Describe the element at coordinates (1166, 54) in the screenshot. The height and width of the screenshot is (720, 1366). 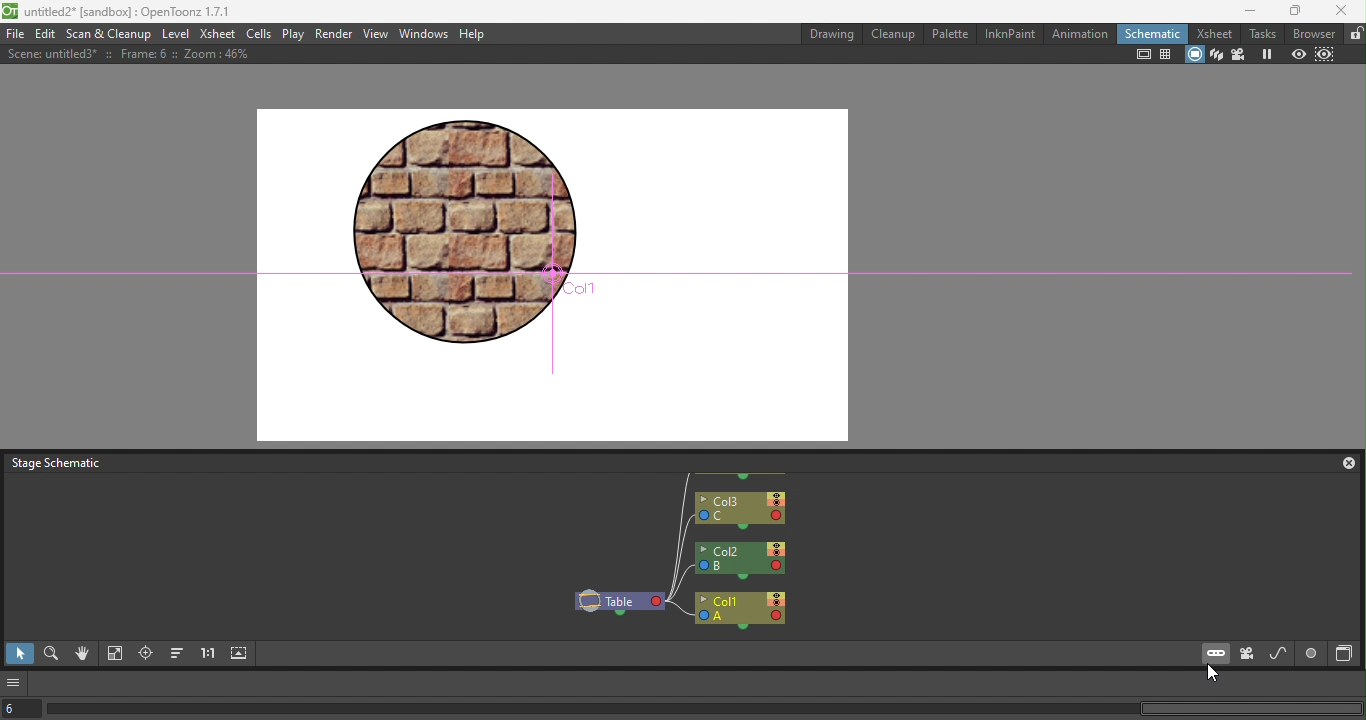
I see `Field guide` at that location.